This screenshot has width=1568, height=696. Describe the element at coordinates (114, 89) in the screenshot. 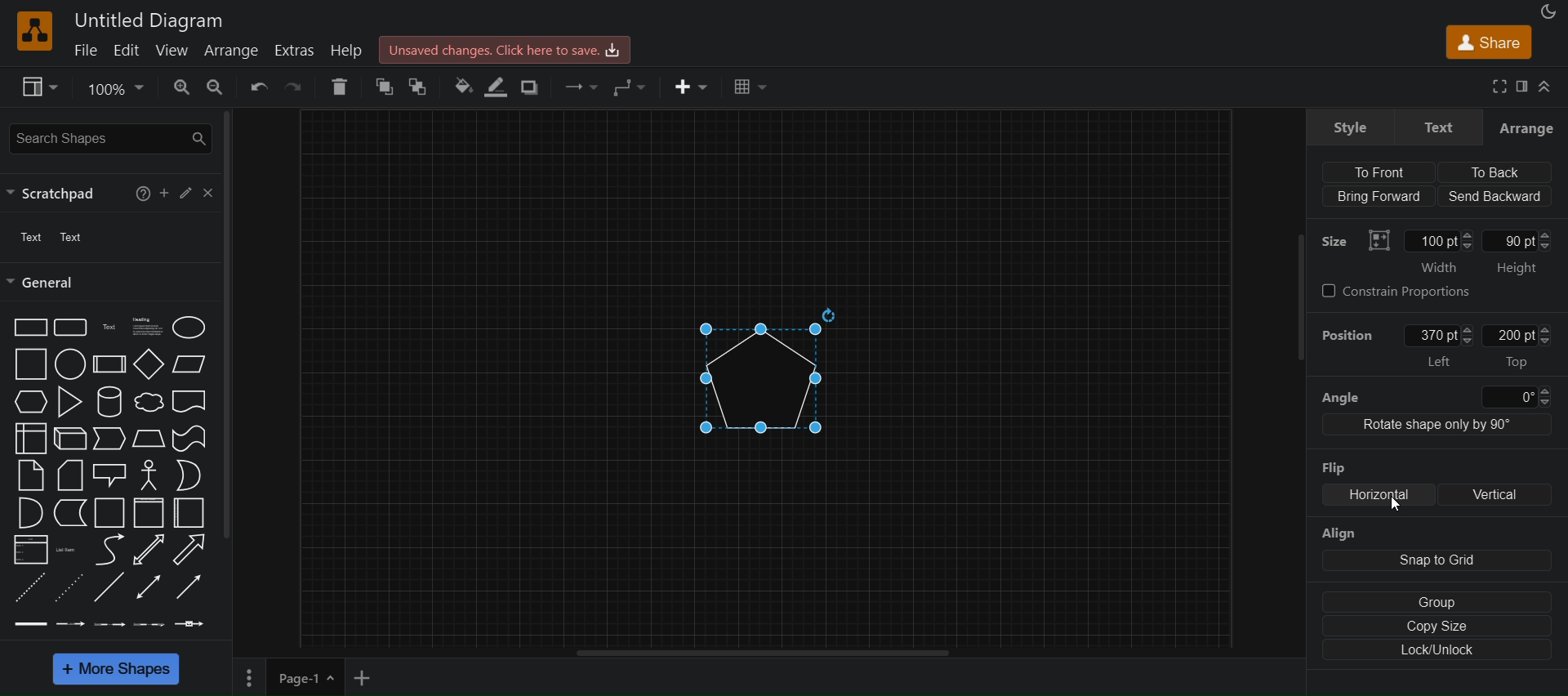

I see `zoom options` at that location.